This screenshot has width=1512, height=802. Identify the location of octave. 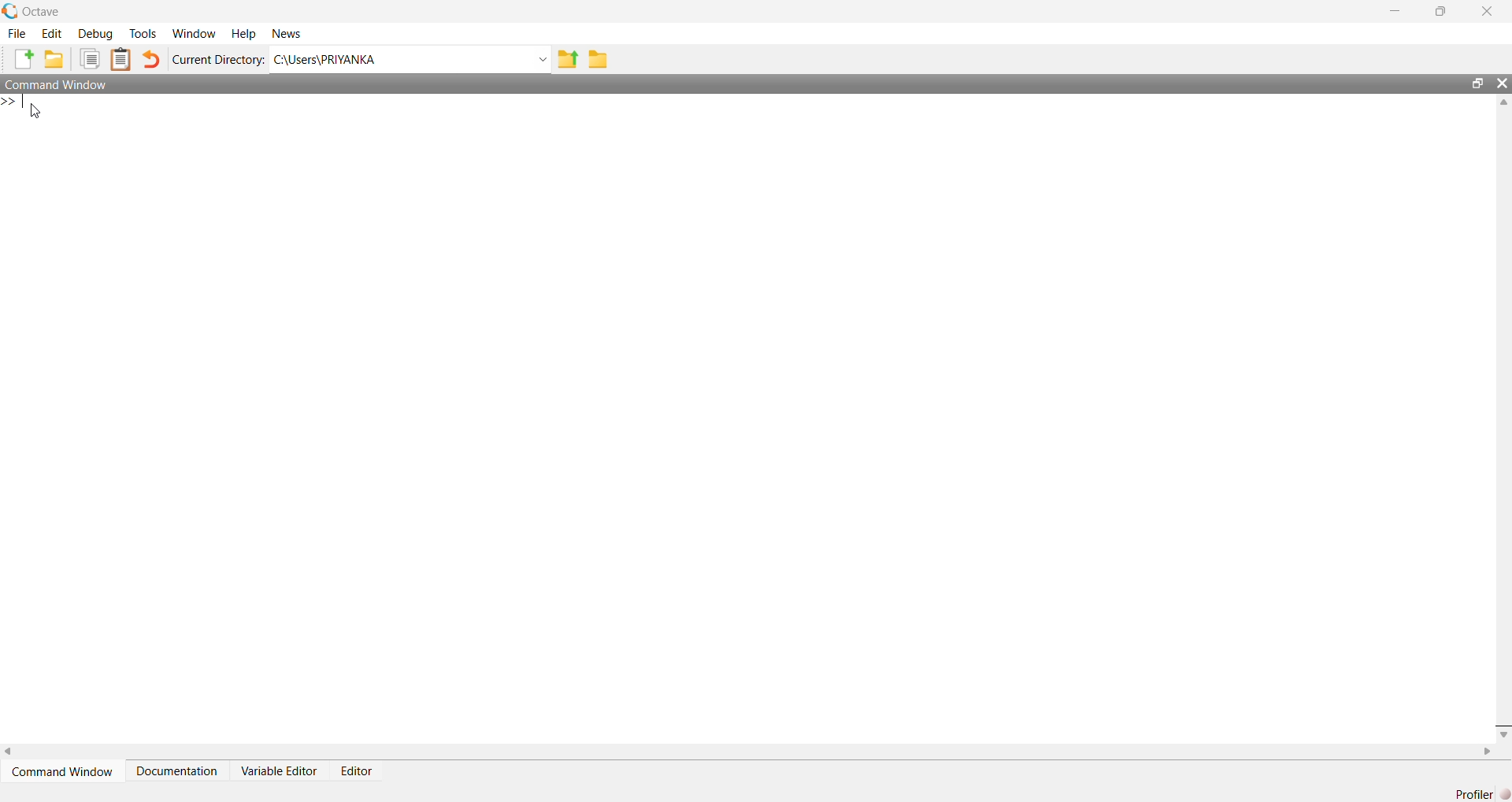
(44, 12).